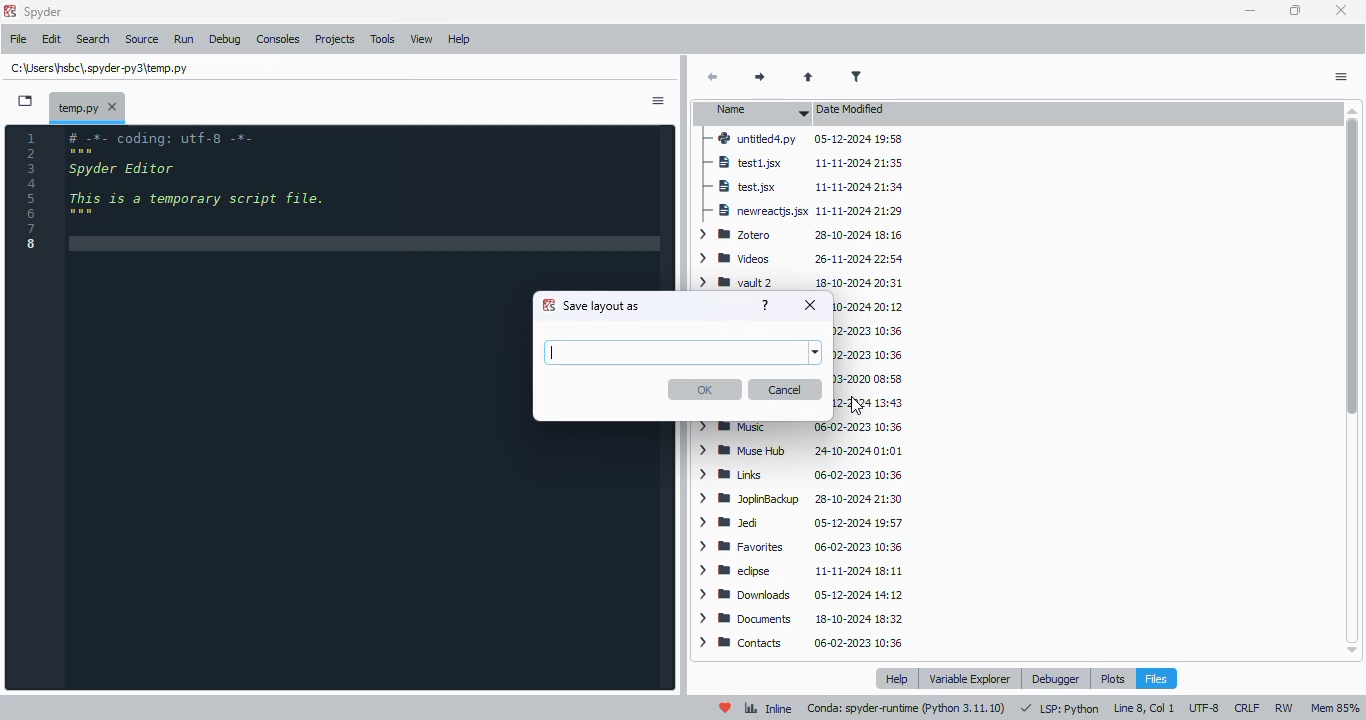 The width and height of the screenshot is (1366, 720). What do you see at coordinates (802, 498) in the screenshot?
I see `JoplinBackup` at bounding box center [802, 498].